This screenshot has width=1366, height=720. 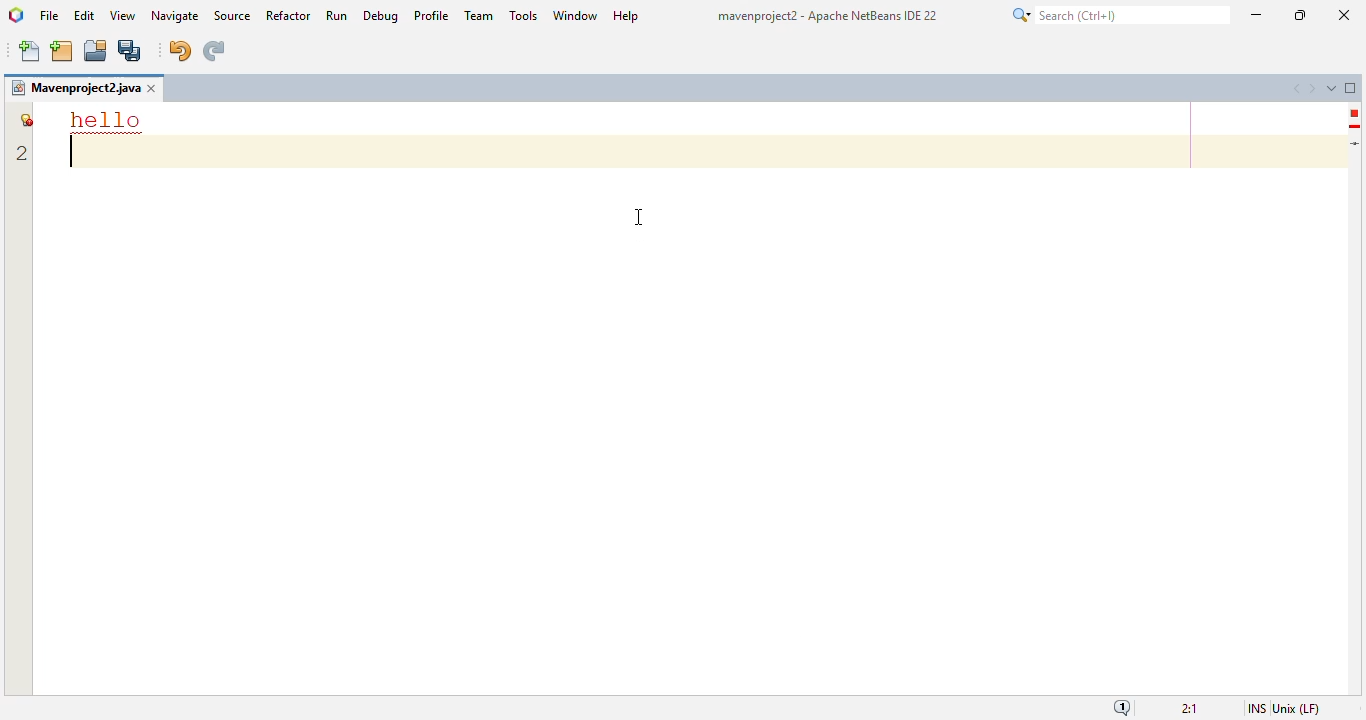 I want to click on window, so click(x=576, y=15).